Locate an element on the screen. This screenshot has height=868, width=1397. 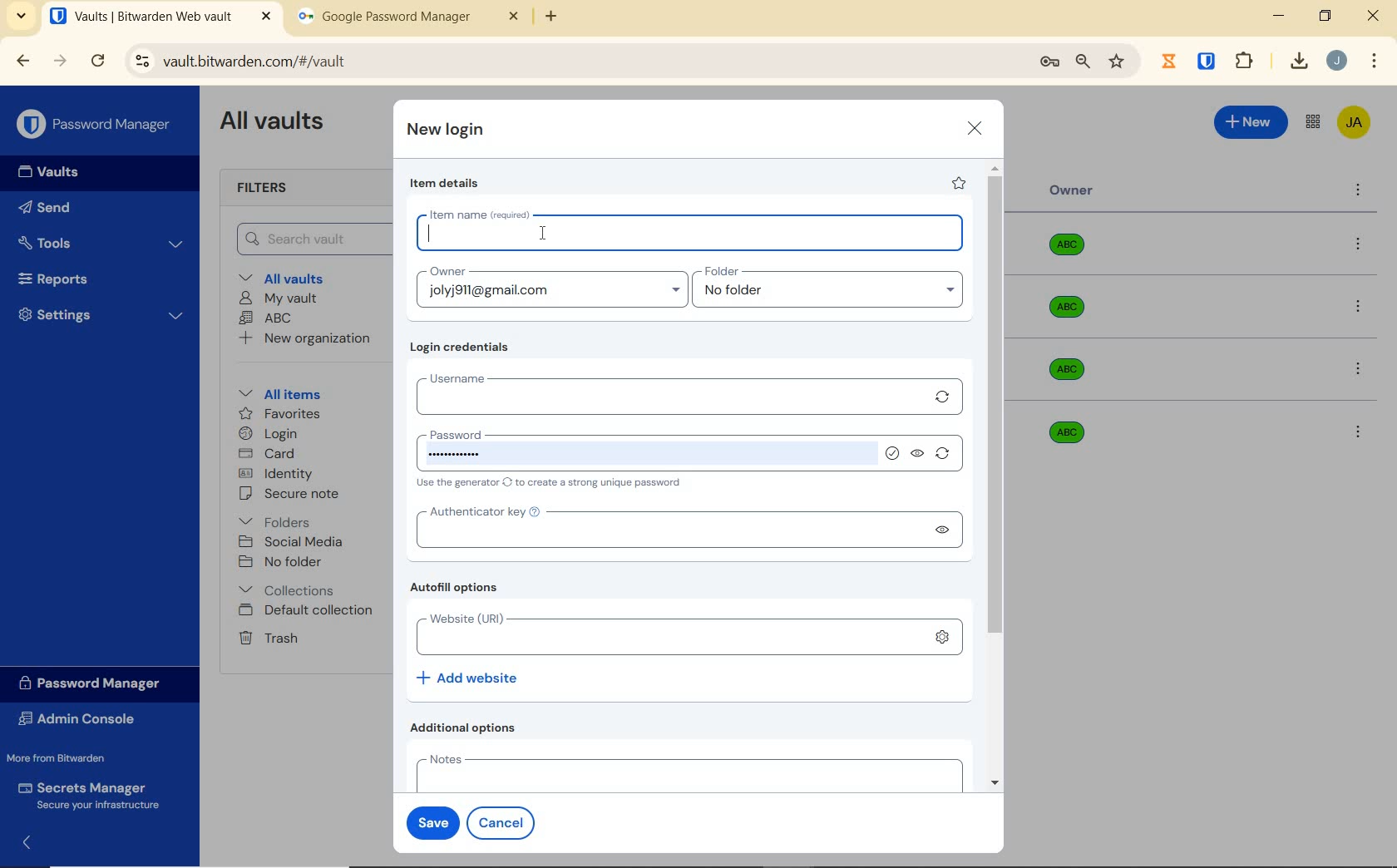
customize Google chrome is located at coordinates (1375, 62).